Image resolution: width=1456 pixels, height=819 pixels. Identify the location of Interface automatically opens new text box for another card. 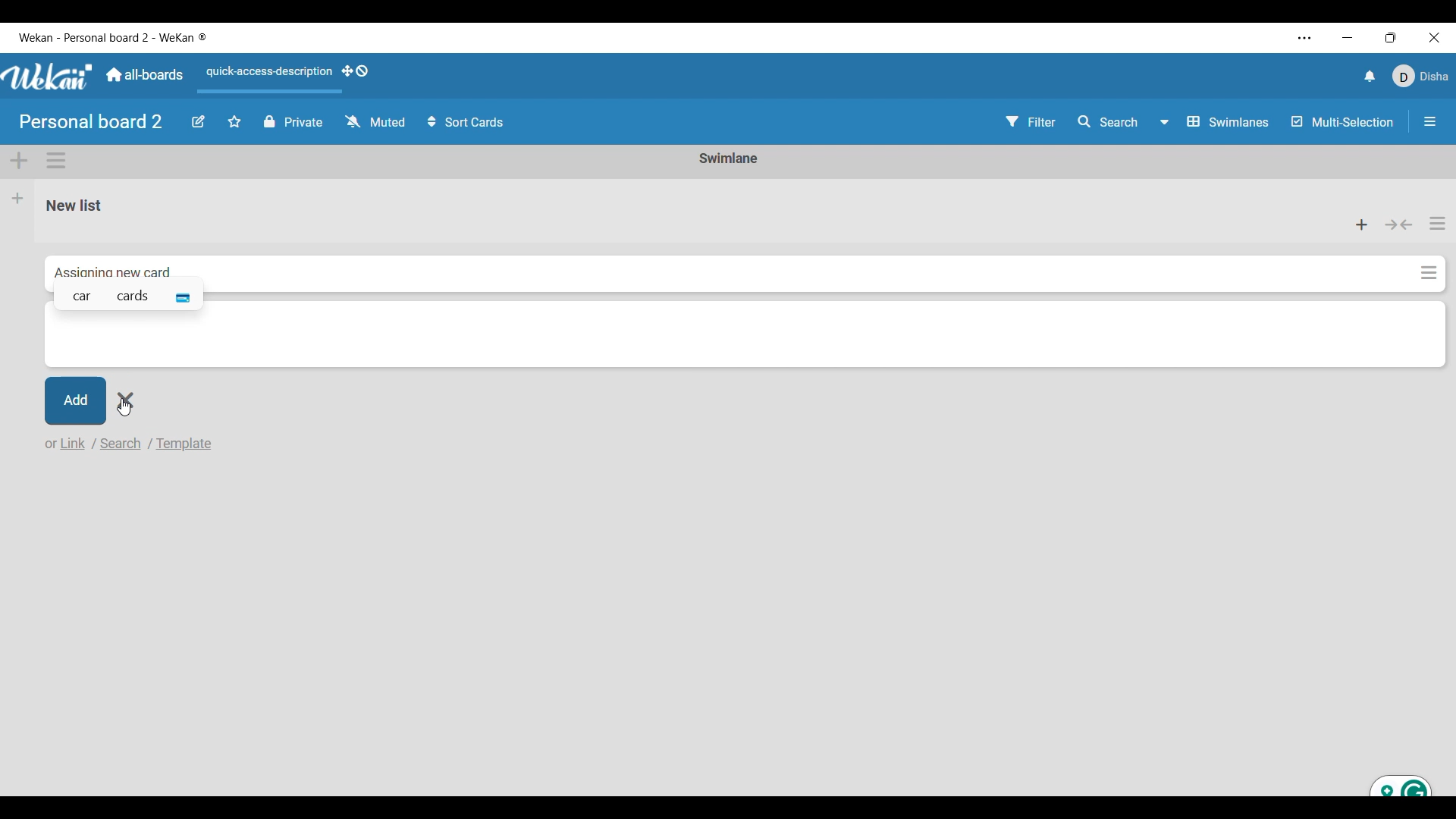
(745, 340).